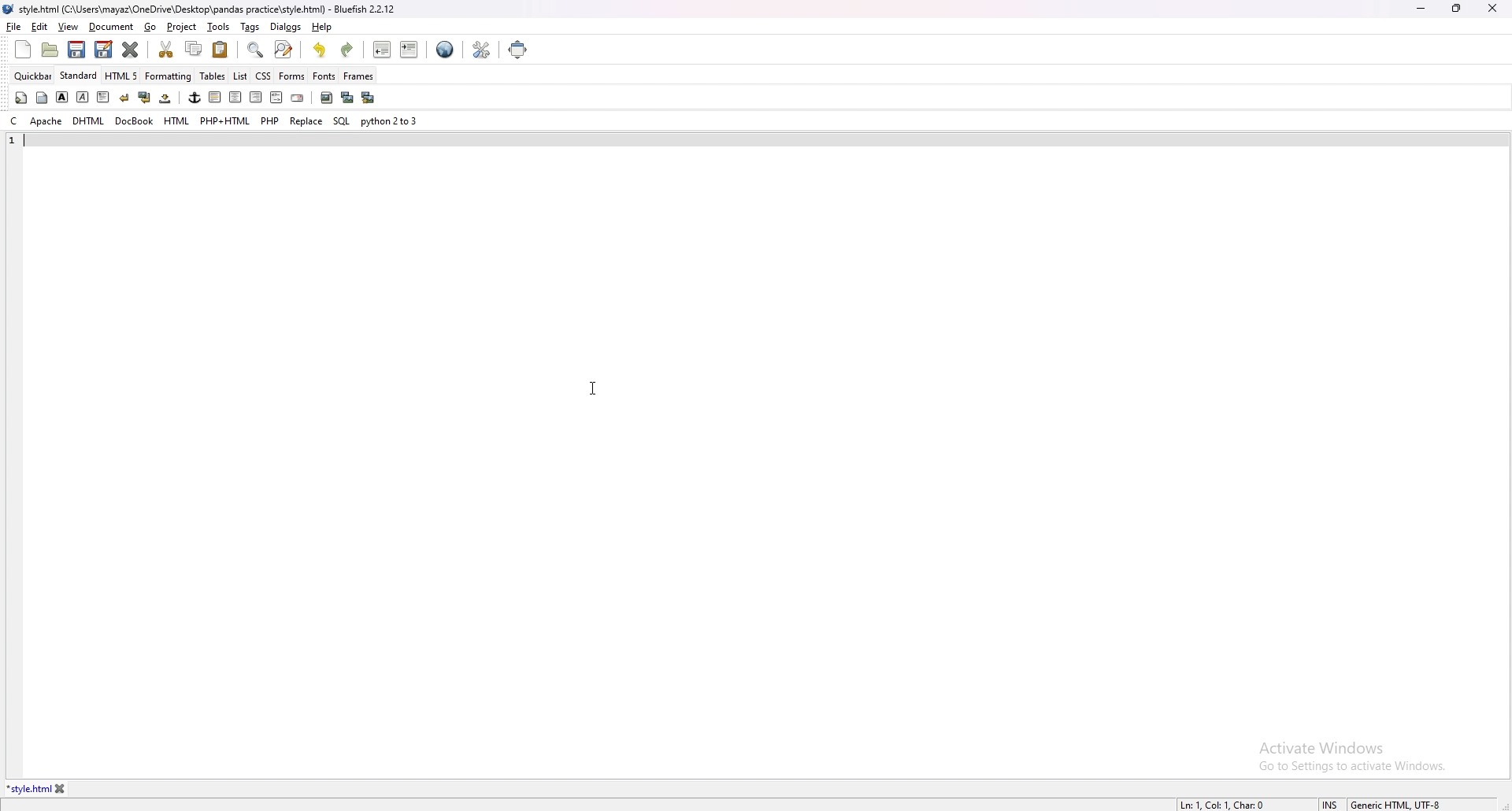  Describe the element at coordinates (391, 121) in the screenshot. I see `python 2to3` at that location.